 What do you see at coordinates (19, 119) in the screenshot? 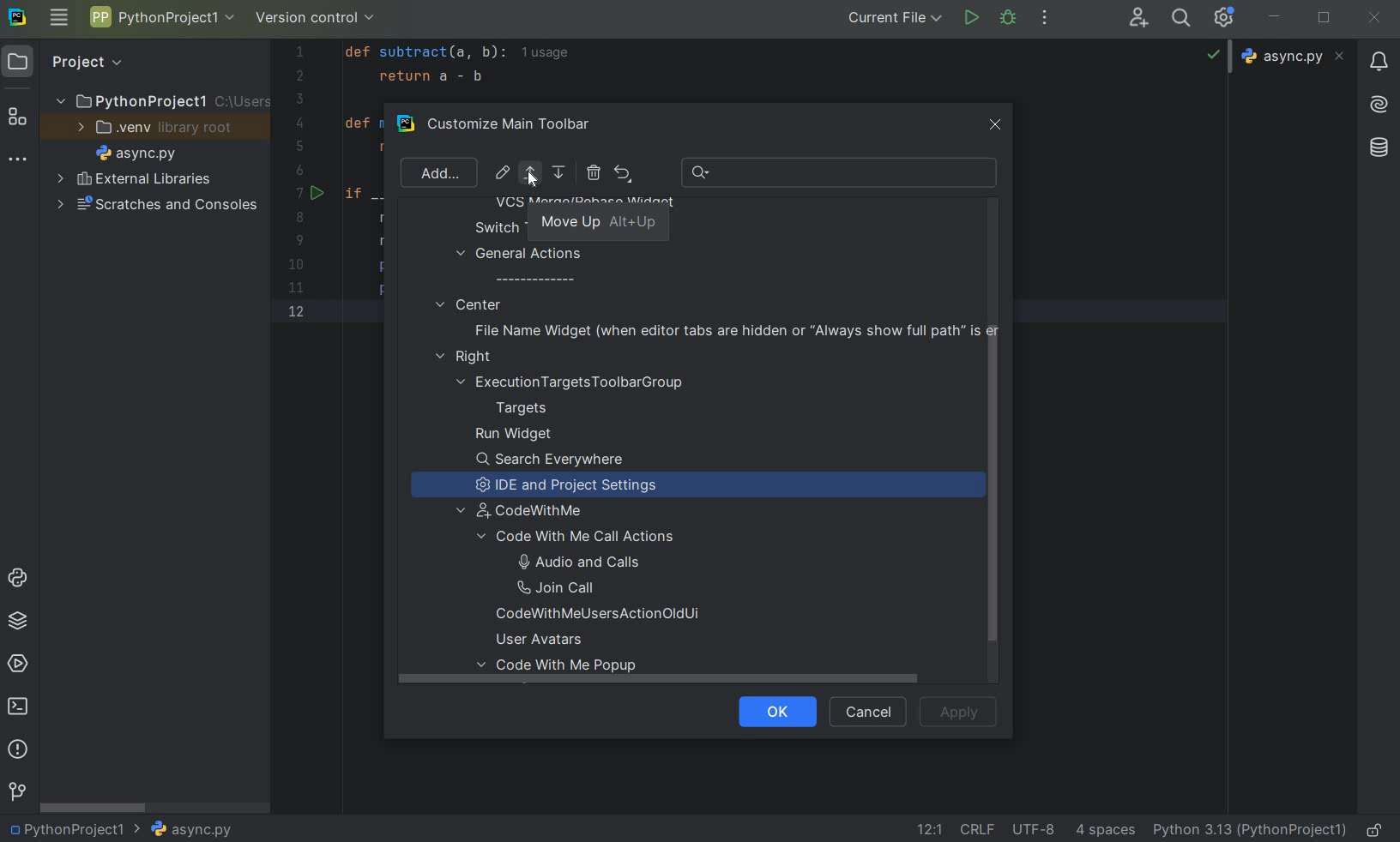
I see `STRUCTURE` at bounding box center [19, 119].